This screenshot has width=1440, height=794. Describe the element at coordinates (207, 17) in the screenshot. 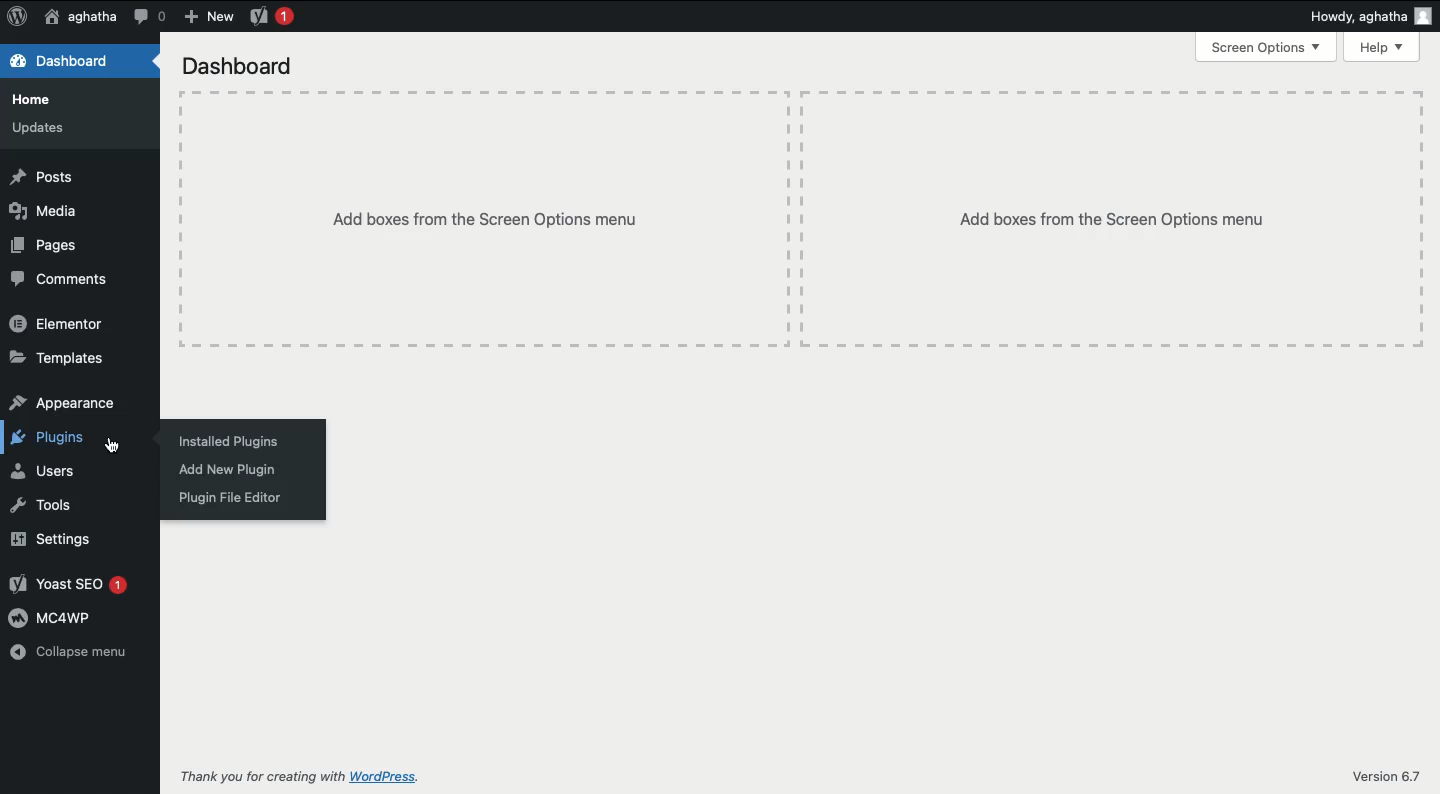

I see `New` at that location.